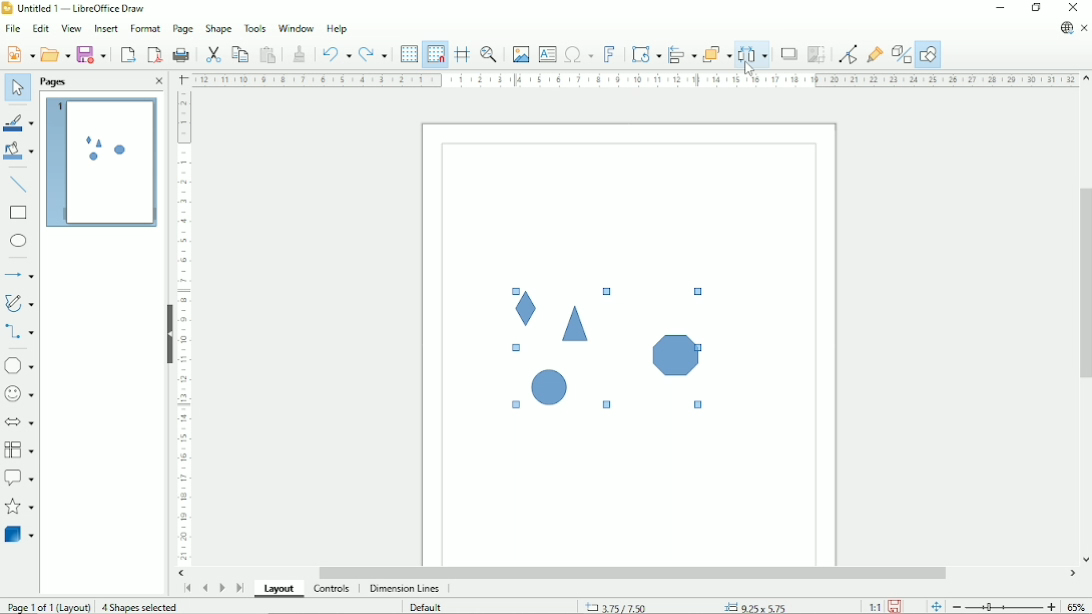 This screenshot has height=614, width=1092. What do you see at coordinates (336, 55) in the screenshot?
I see `Undo` at bounding box center [336, 55].